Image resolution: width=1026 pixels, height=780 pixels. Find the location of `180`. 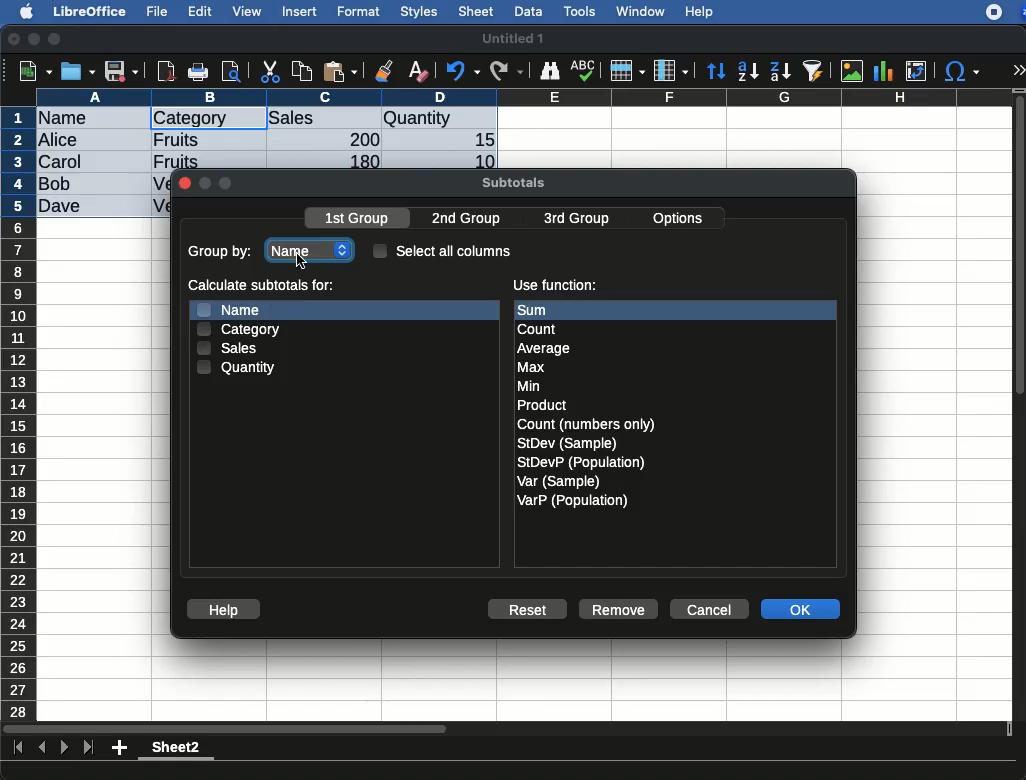

180 is located at coordinates (357, 162).